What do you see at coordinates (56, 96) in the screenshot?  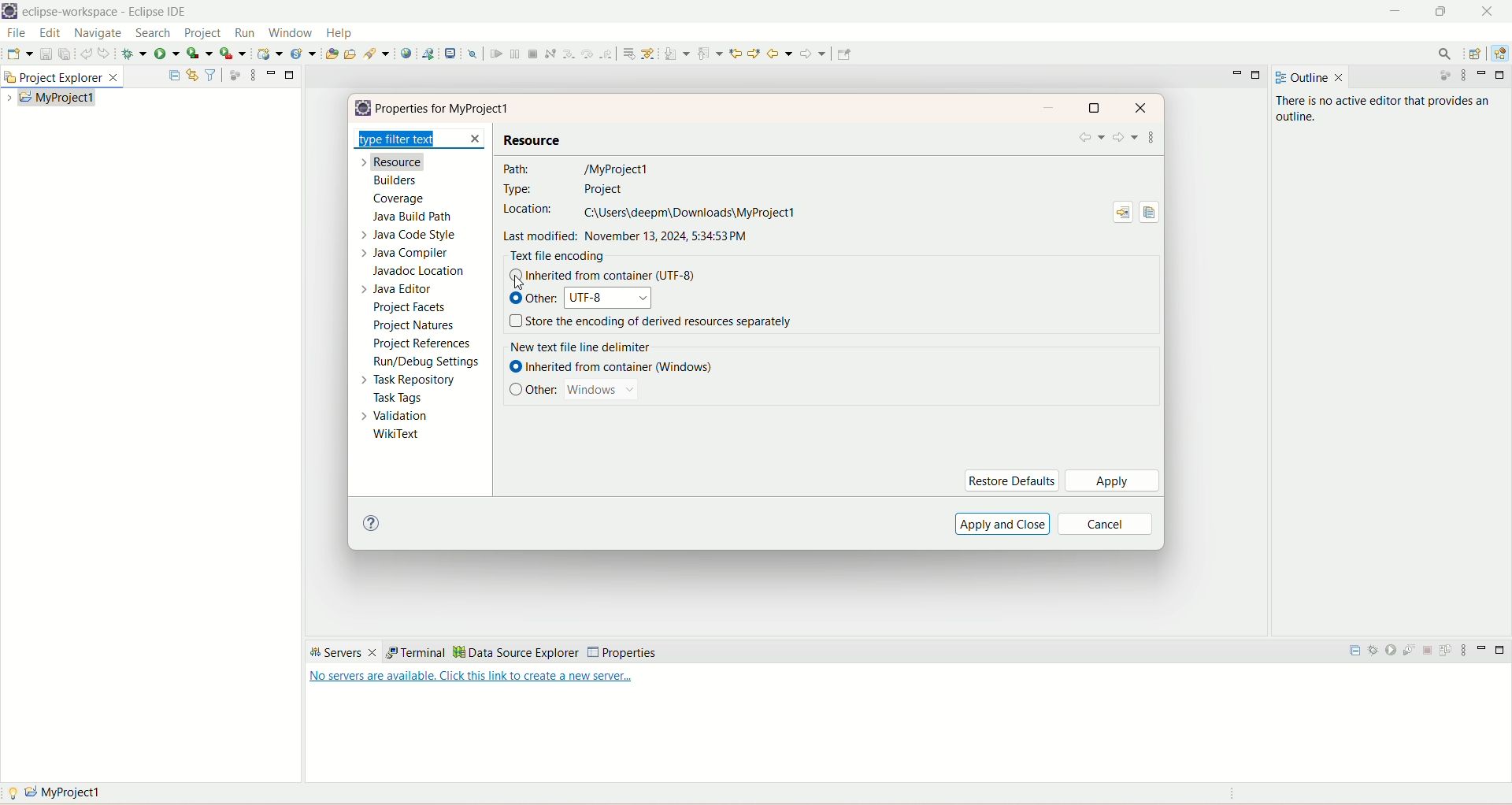 I see `my project` at bounding box center [56, 96].